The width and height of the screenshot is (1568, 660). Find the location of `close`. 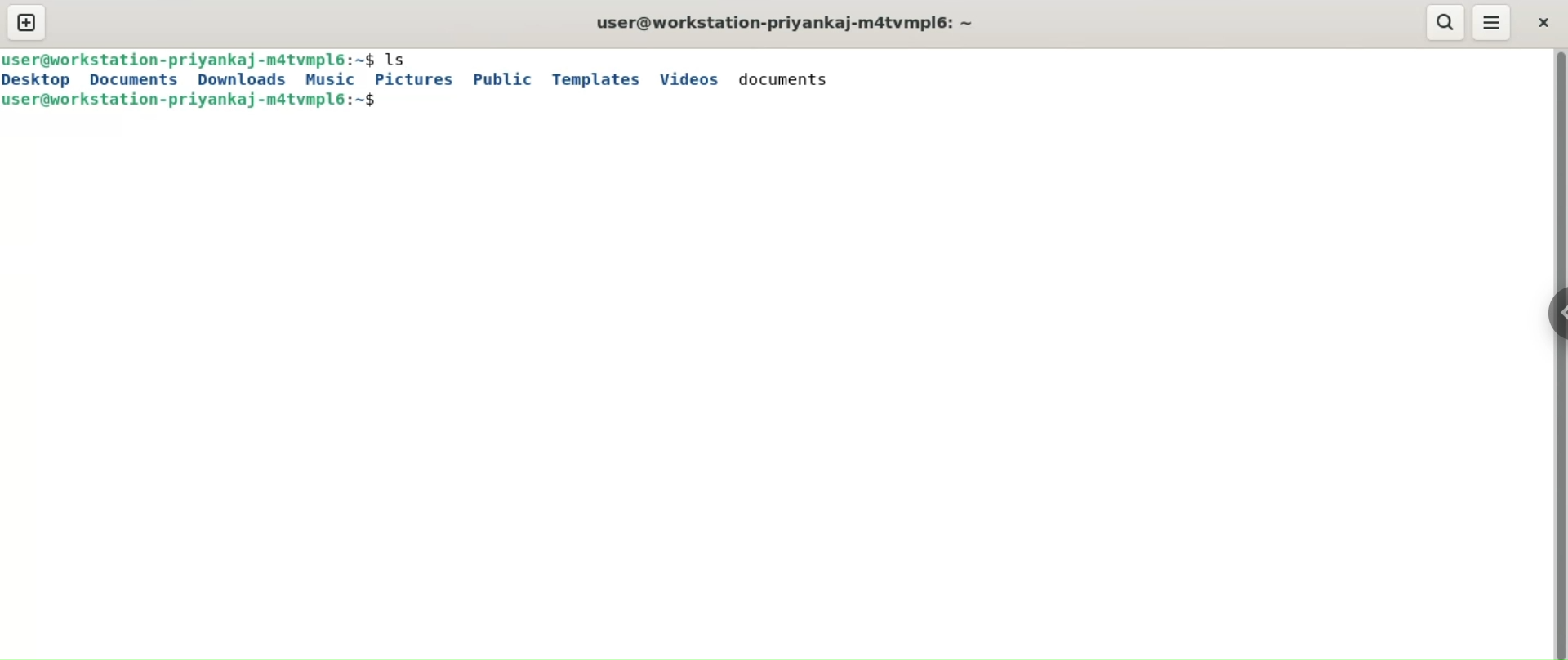

close is located at coordinates (1546, 23).